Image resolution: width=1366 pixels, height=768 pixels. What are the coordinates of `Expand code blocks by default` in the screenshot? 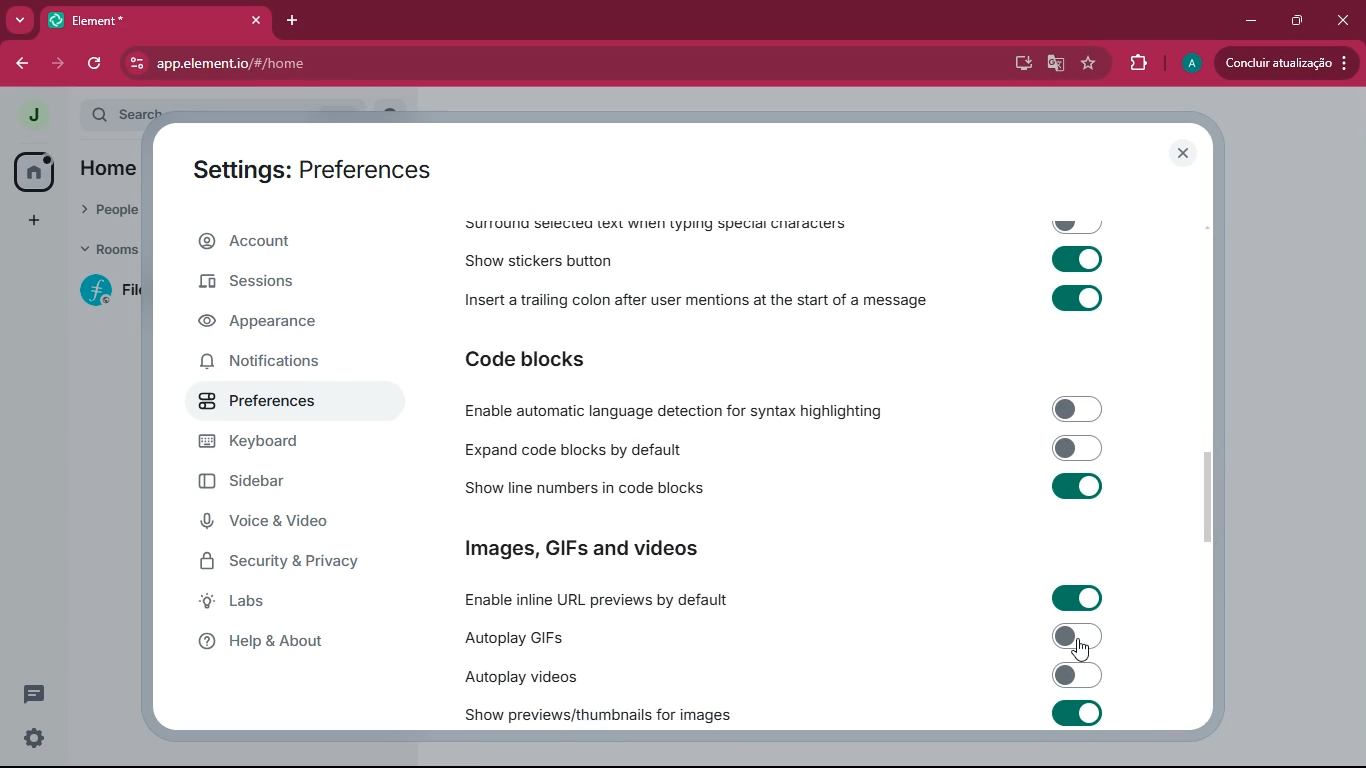 It's located at (780, 448).